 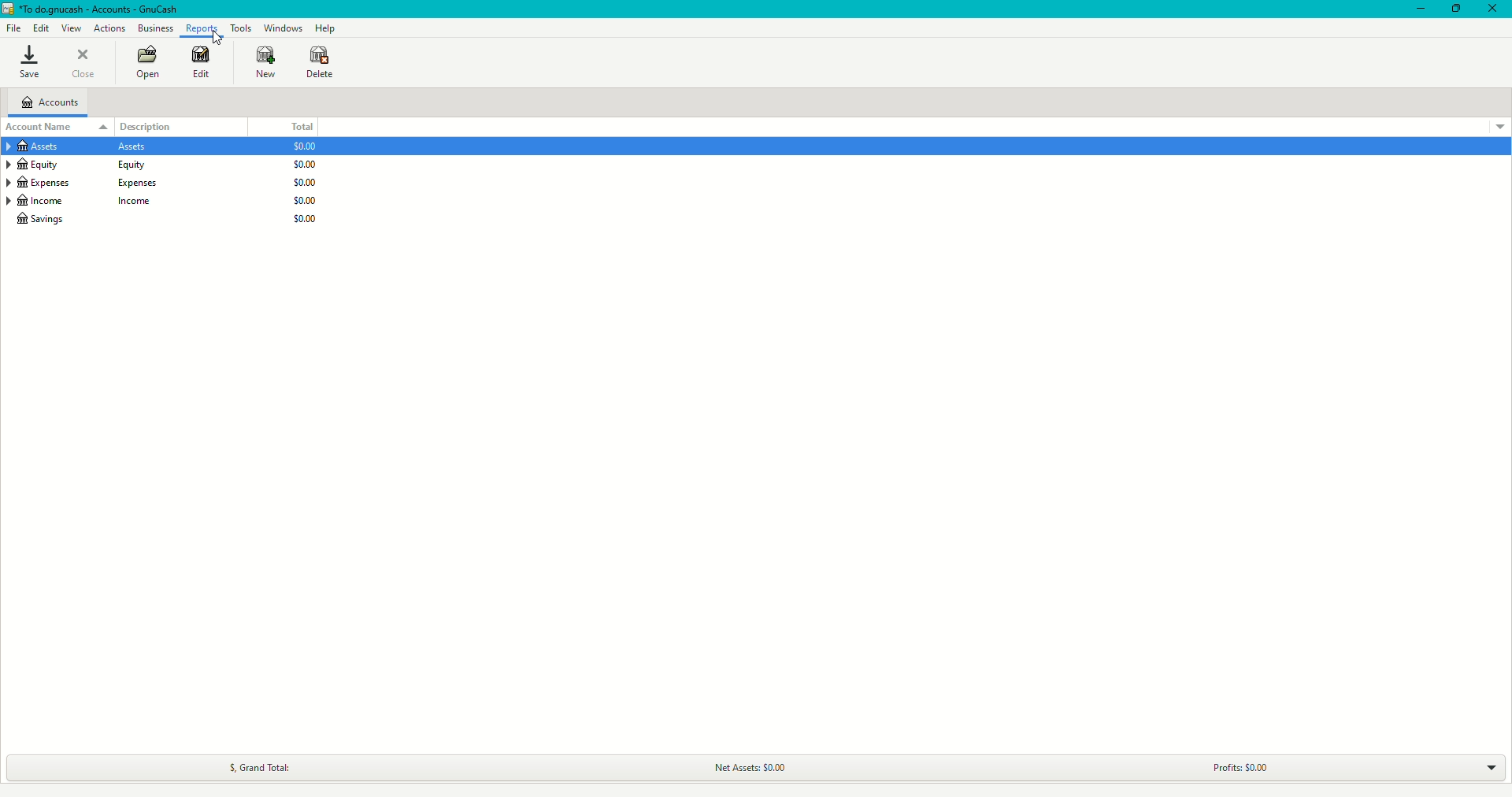 I want to click on Minimize, so click(x=1413, y=10).